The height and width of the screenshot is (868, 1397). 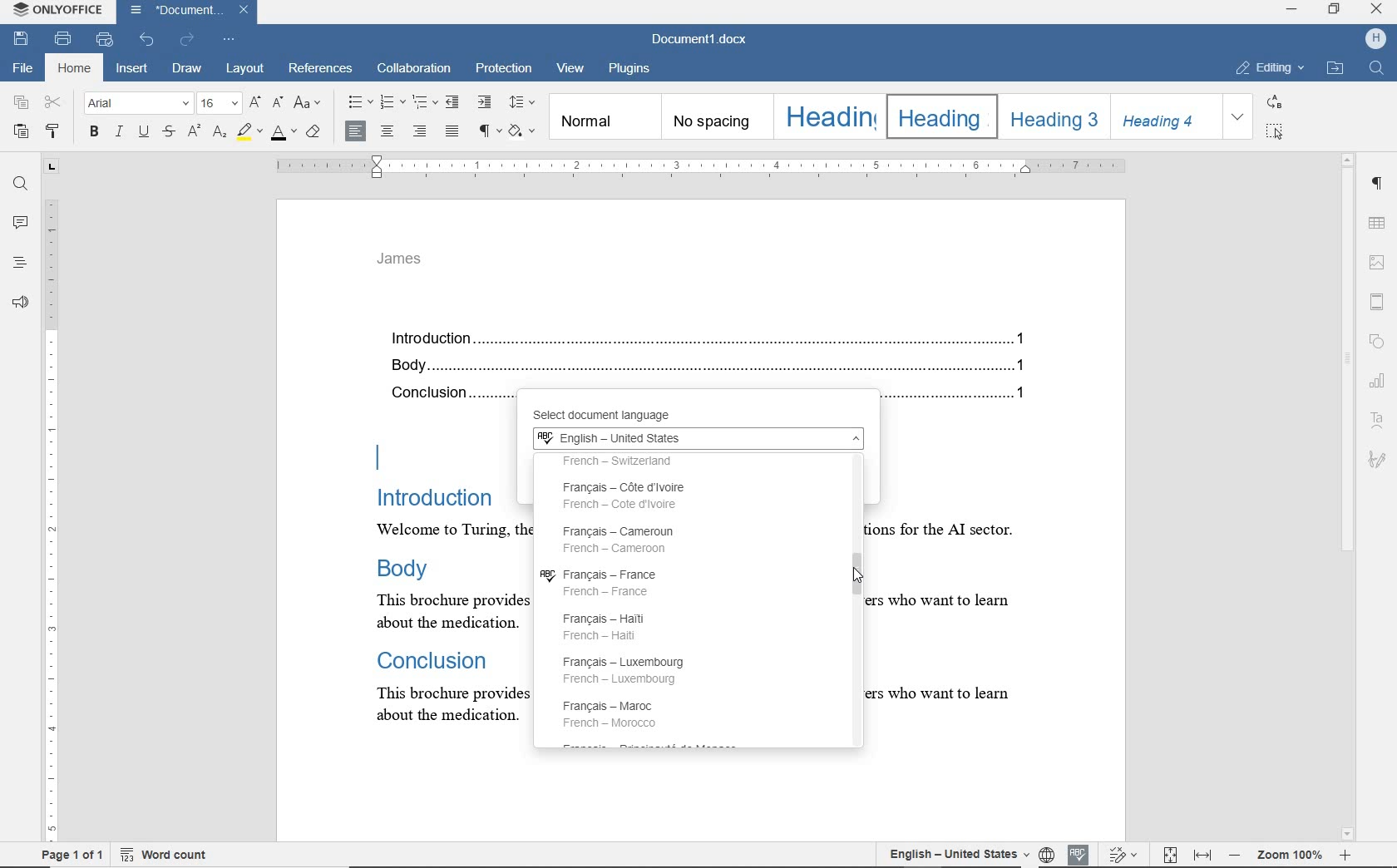 What do you see at coordinates (254, 103) in the screenshot?
I see `increment font size` at bounding box center [254, 103].